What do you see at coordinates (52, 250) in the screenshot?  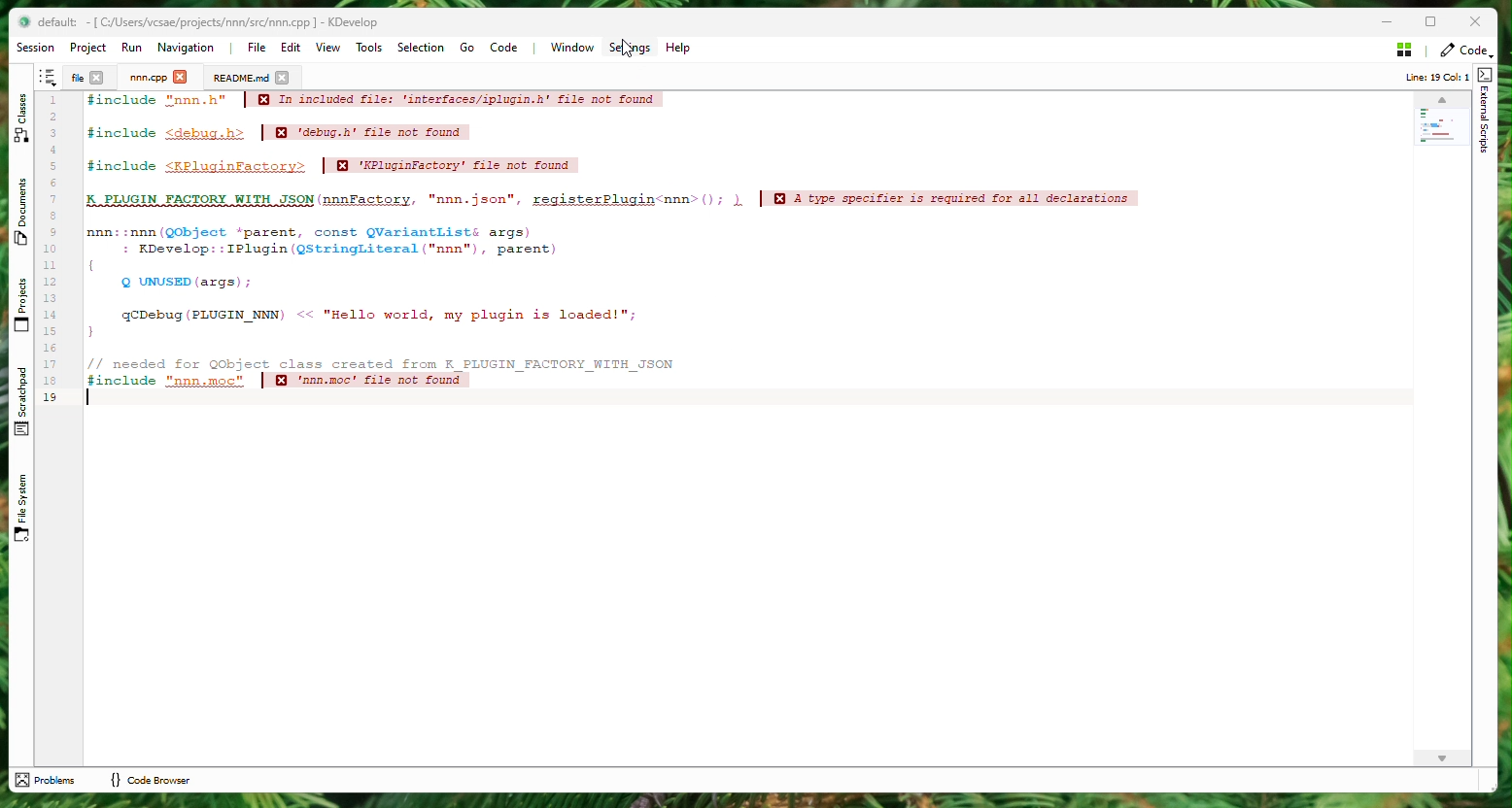 I see `10` at bounding box center [52, 250].